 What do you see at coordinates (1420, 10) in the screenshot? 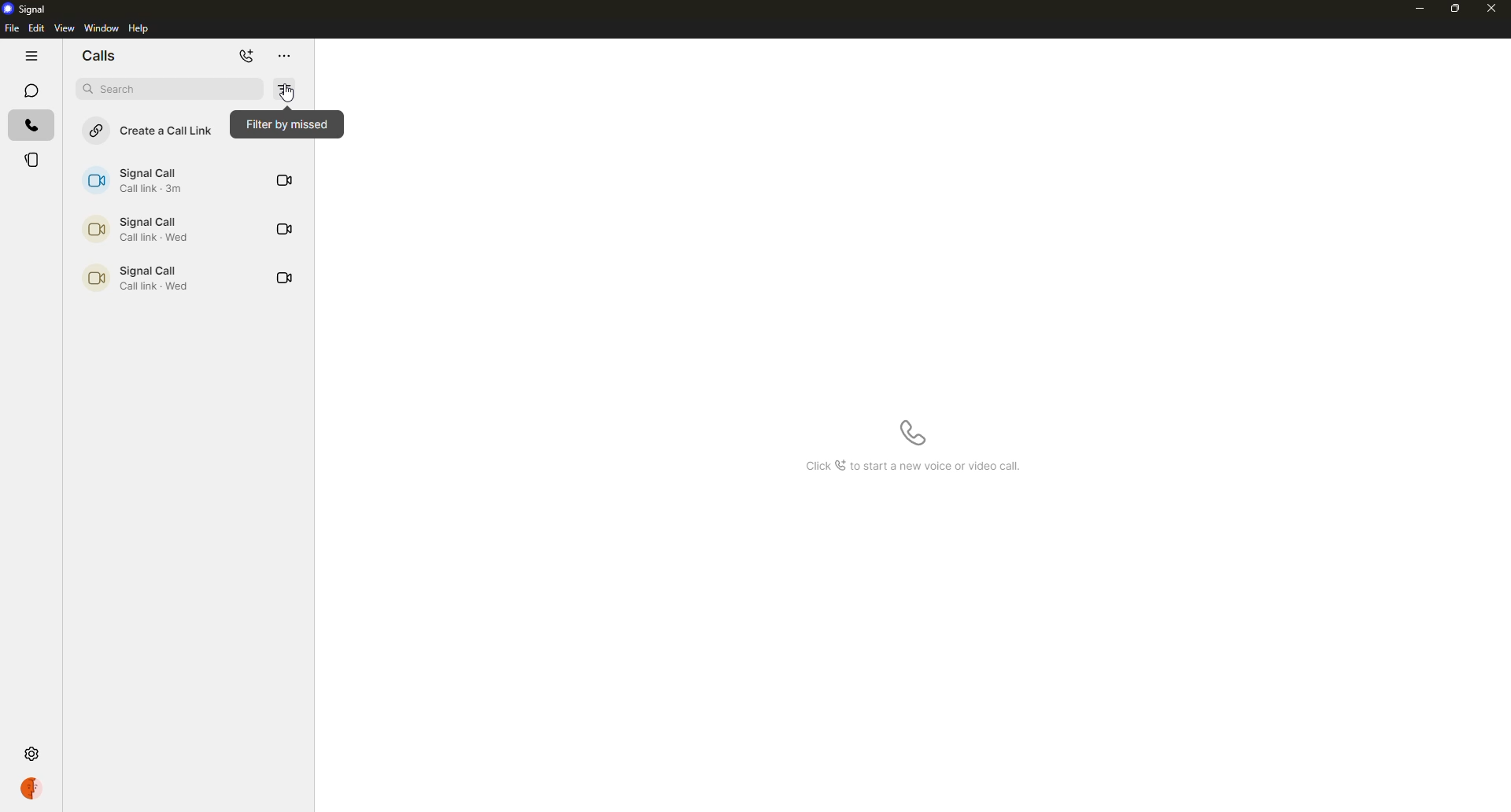
I see `minimize` at bounding box center [1420, 10].